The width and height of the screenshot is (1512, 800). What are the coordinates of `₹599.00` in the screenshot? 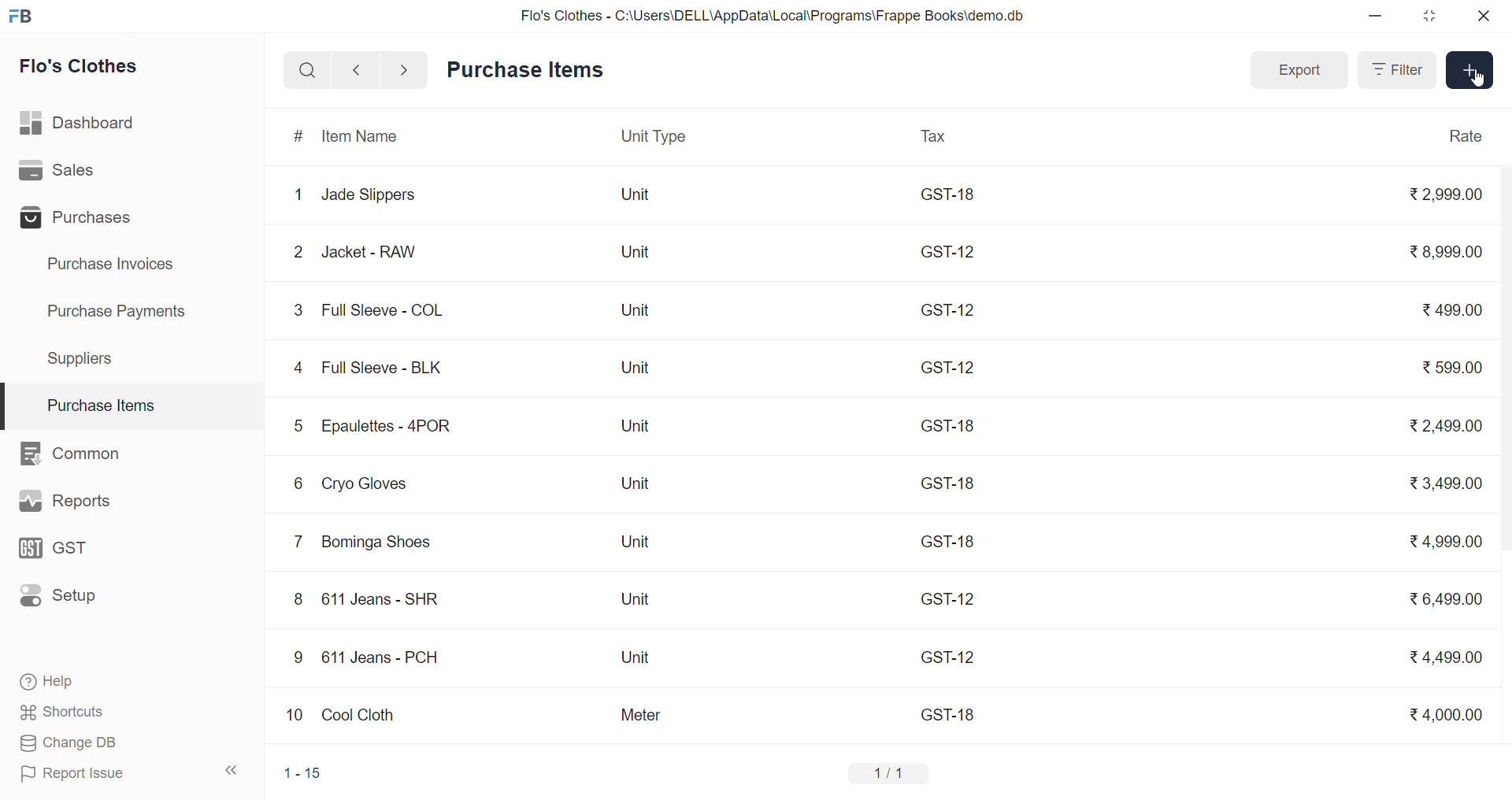 It's located at (1452, 368).